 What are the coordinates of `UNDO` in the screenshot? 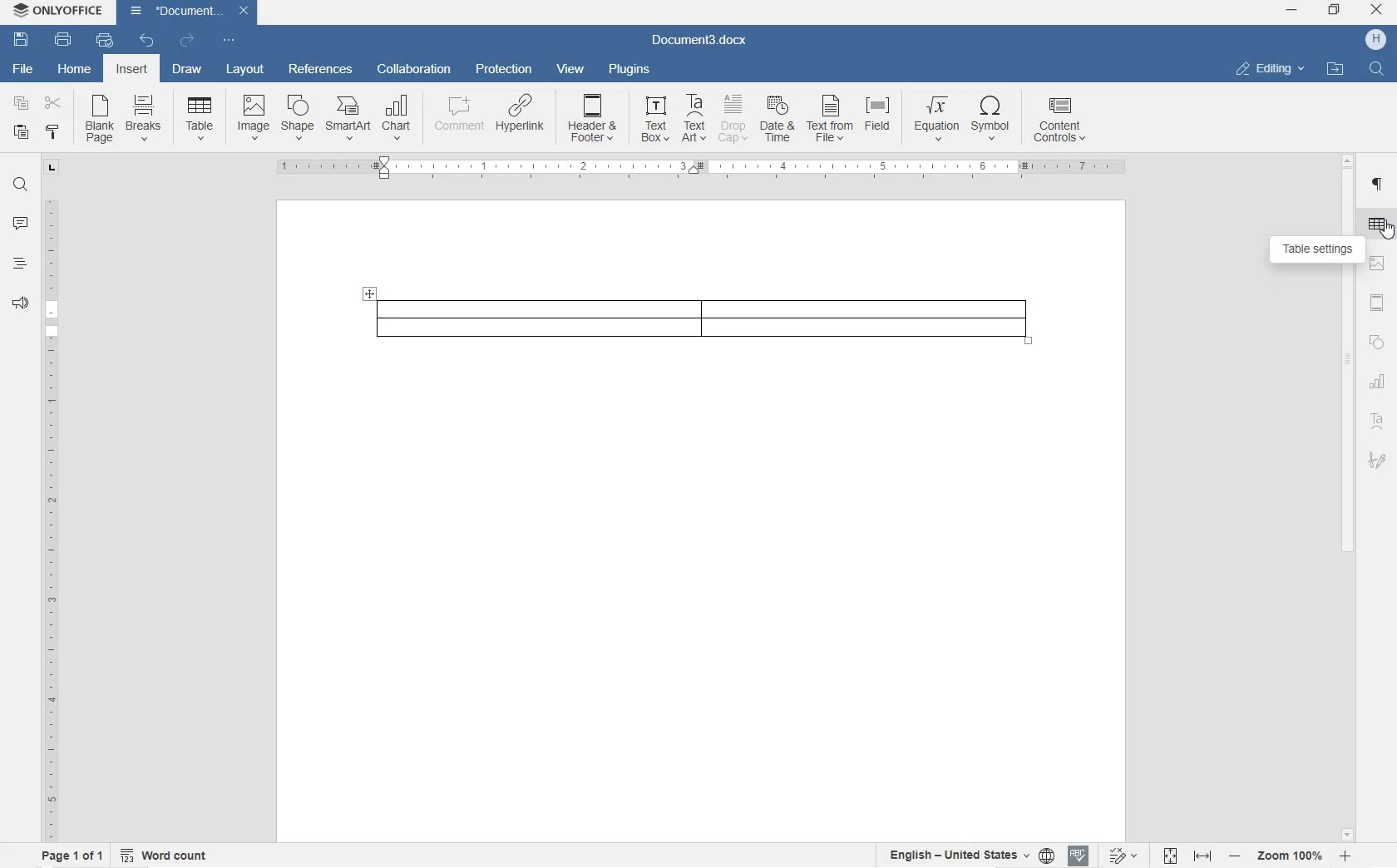 It's located at (147, 42).